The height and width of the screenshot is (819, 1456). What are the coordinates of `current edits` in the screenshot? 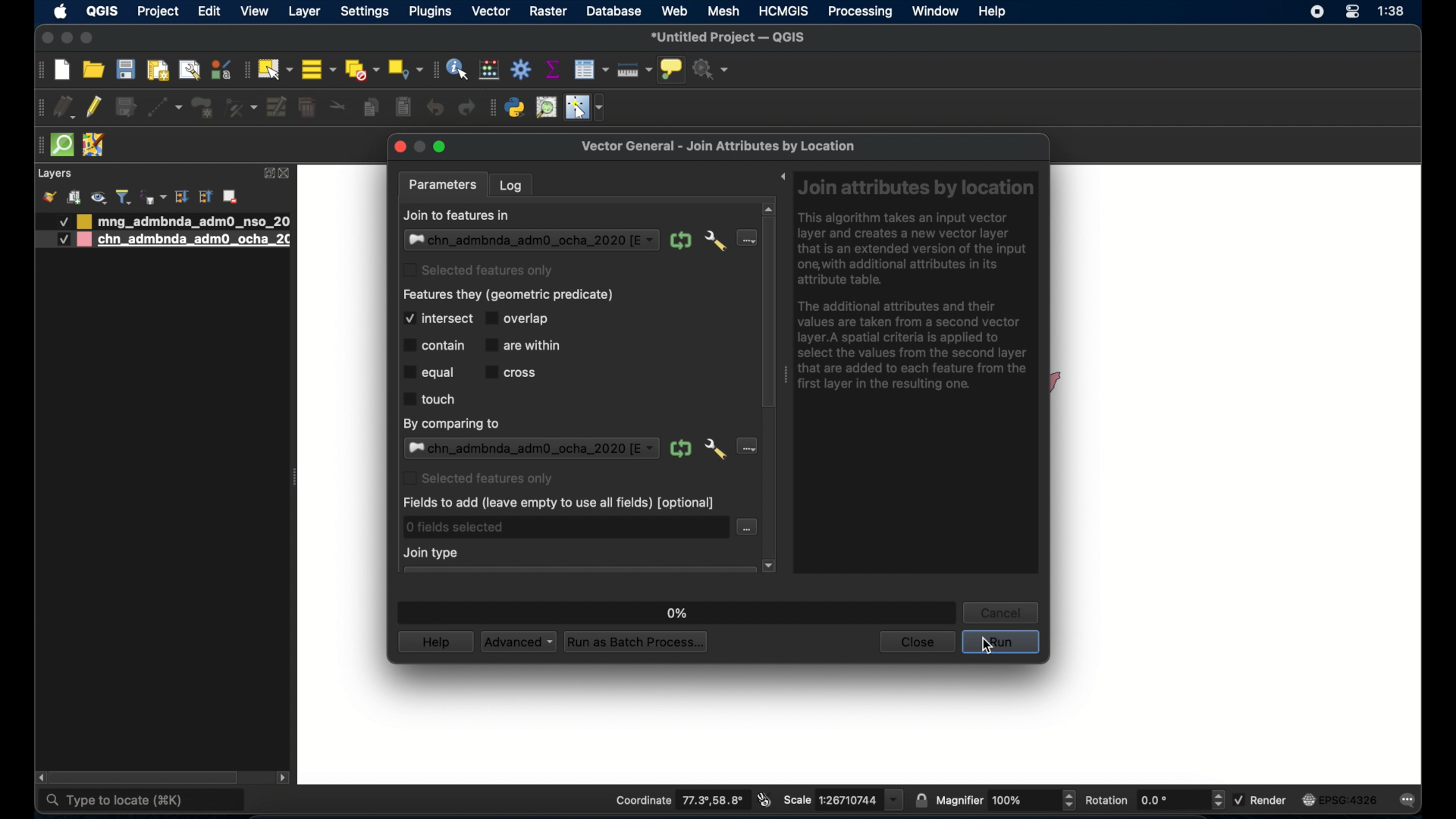 It's located at (65, 108).